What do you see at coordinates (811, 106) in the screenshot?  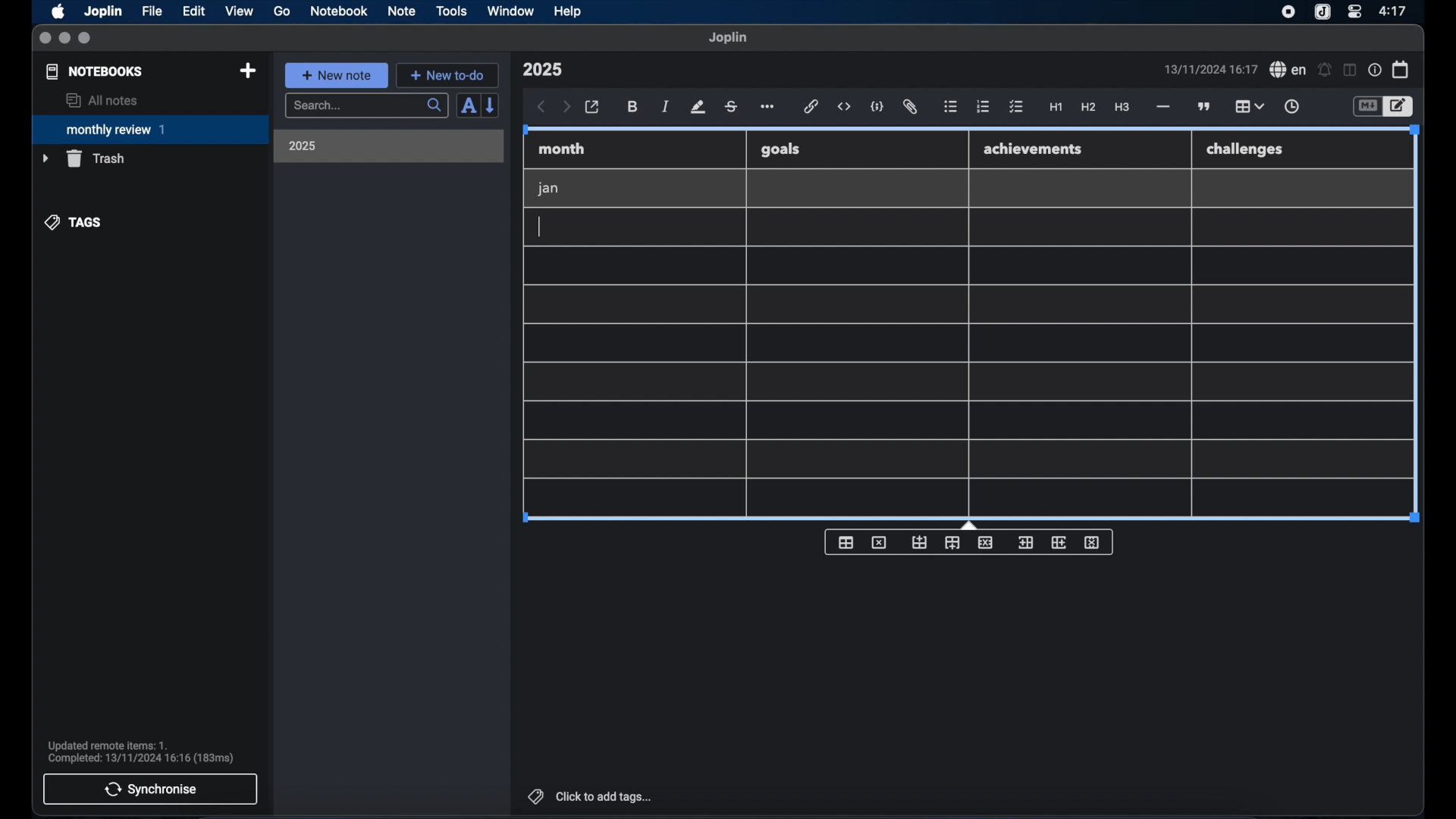 I see `hyperlink` at bounding box center [811, 106].